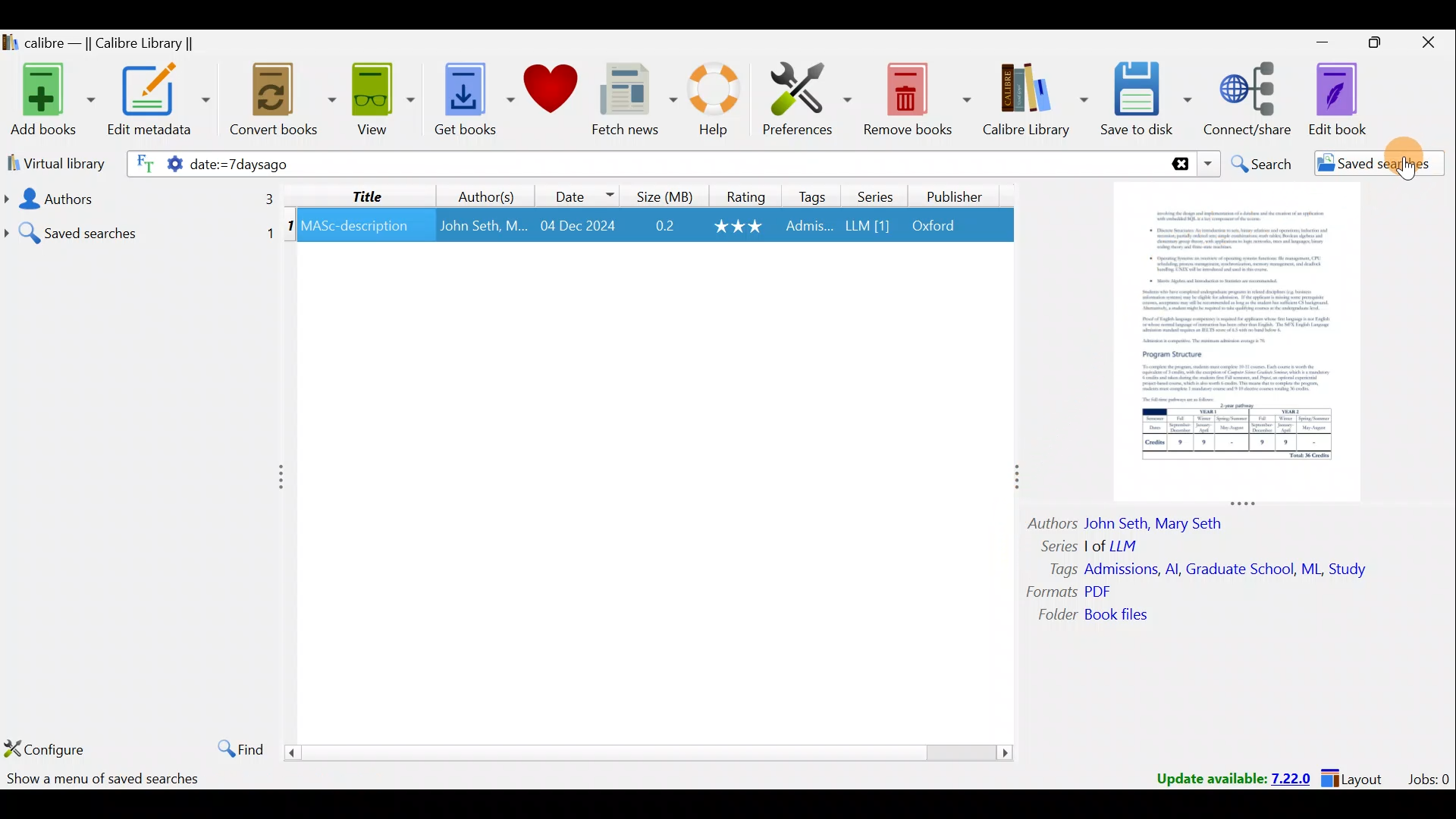 Image resolution: width=1456 pixels, height=819 pixels. What do you see at coordinates (1105, 616) in the screenshot?
I see `Folder book files` at bounding box center [1105, 616].